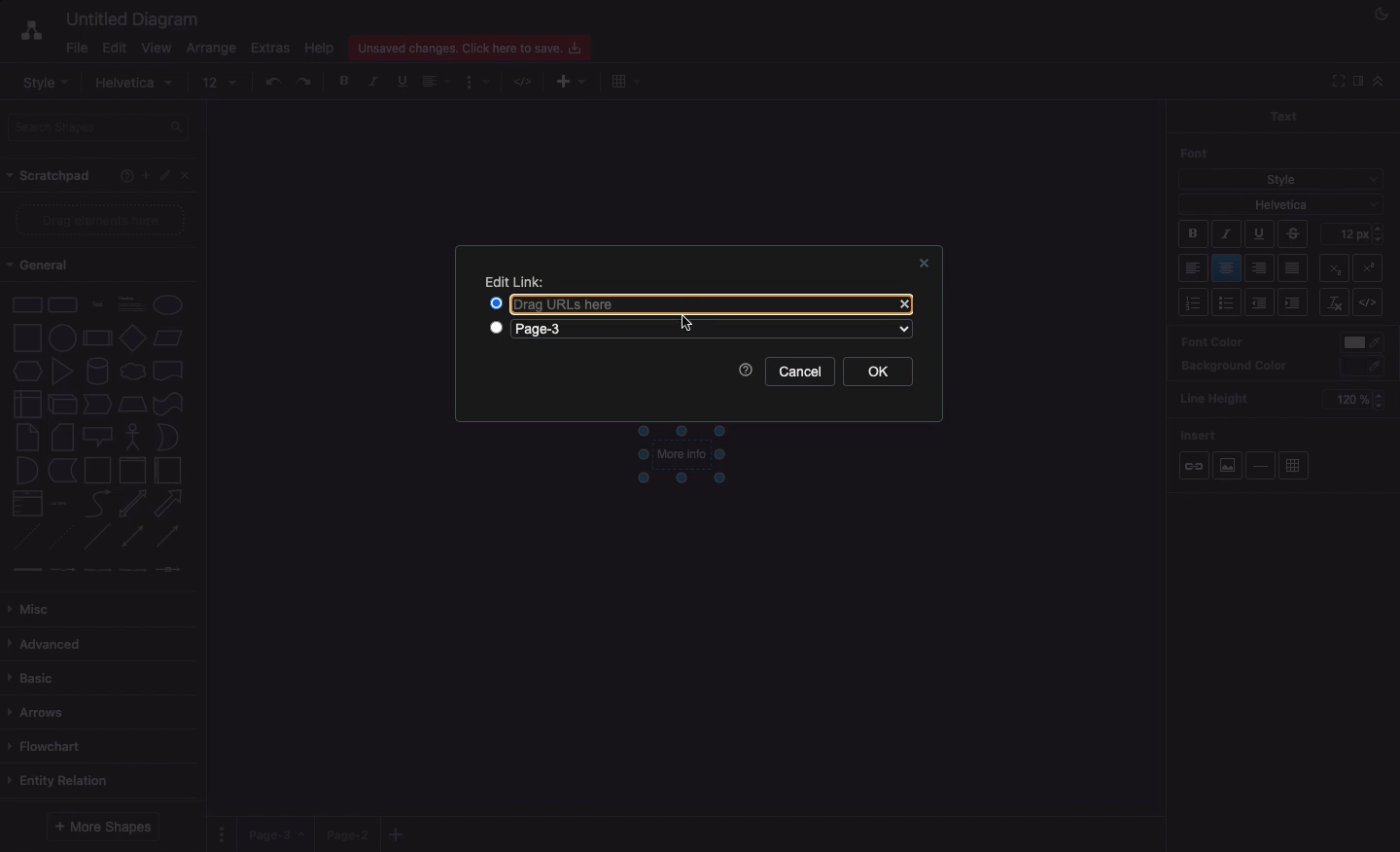  I want to click on Add, so click(623, 82).